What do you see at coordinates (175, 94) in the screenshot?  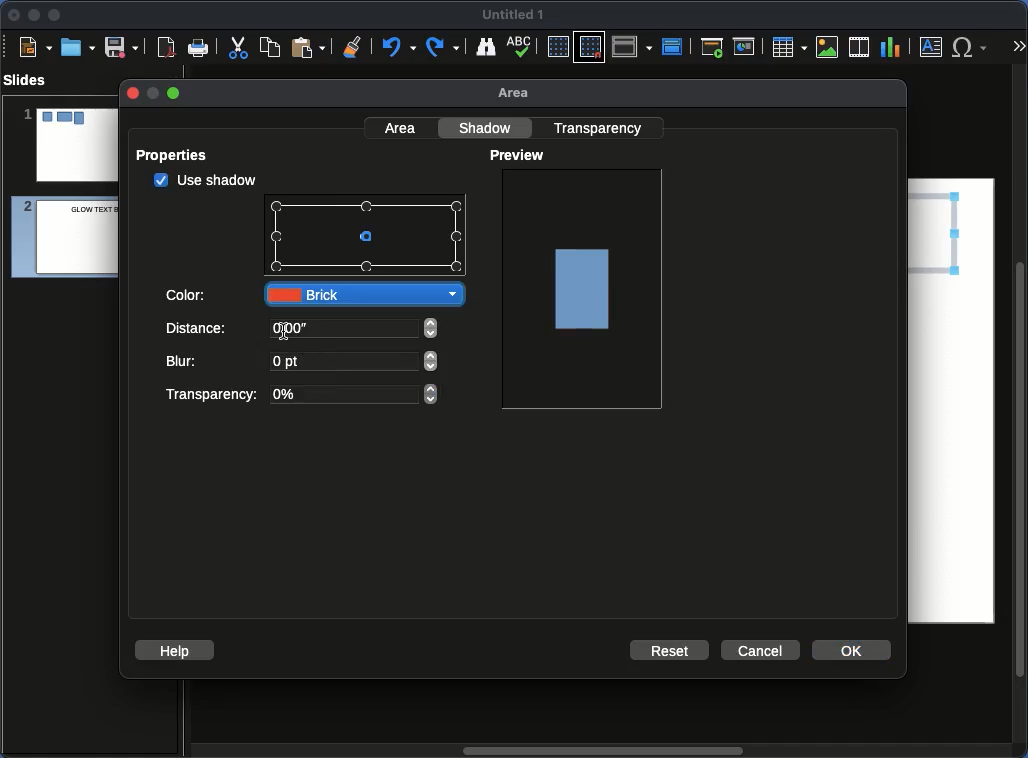 I see `maximize` at bounding box center [175, 94].